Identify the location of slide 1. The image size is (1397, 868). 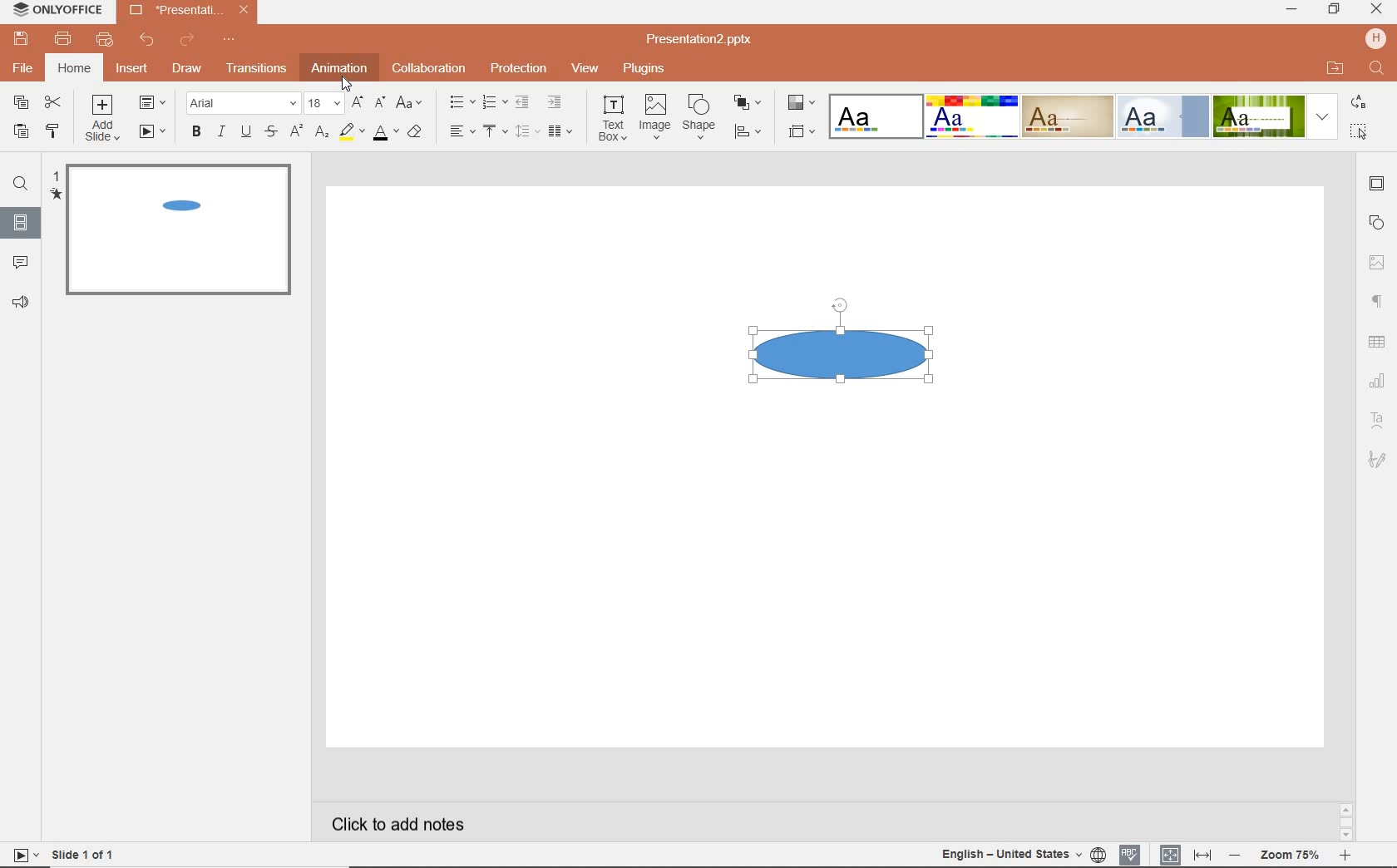
(176, 233).